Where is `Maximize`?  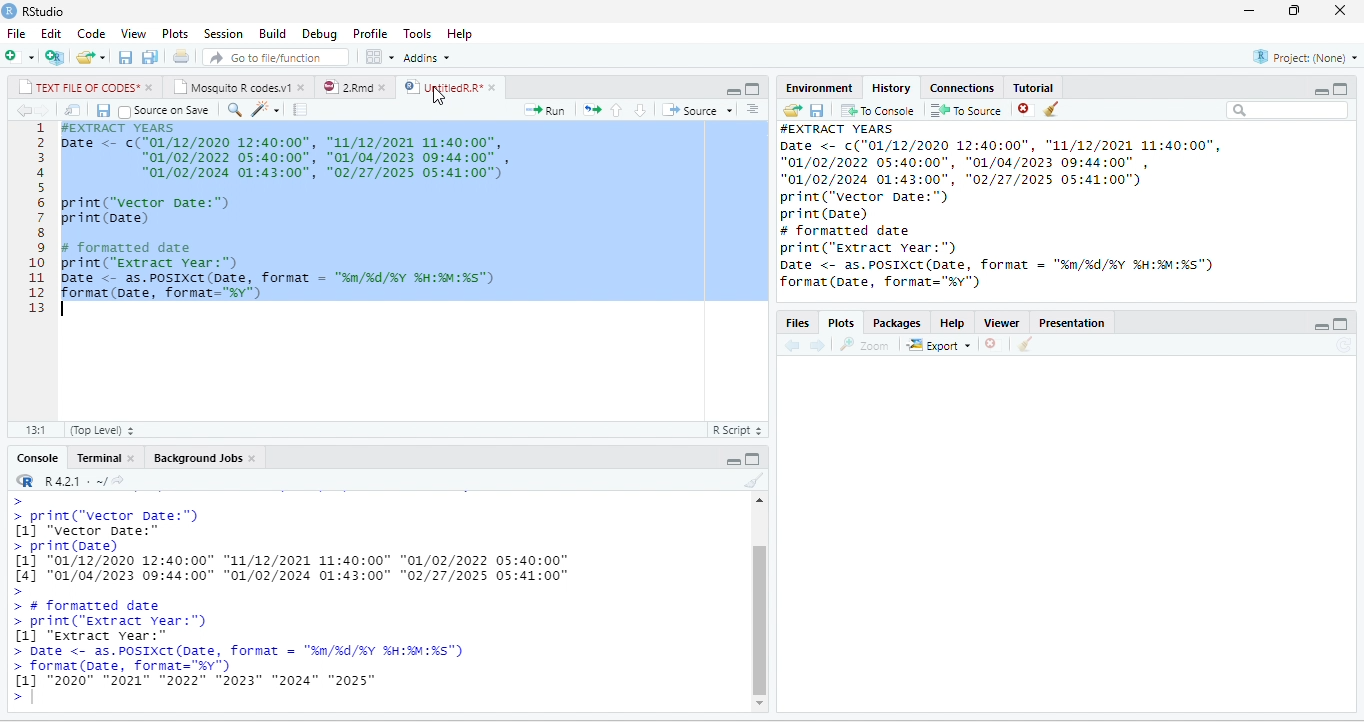 Maximize is located at coordinates (1340, 89).